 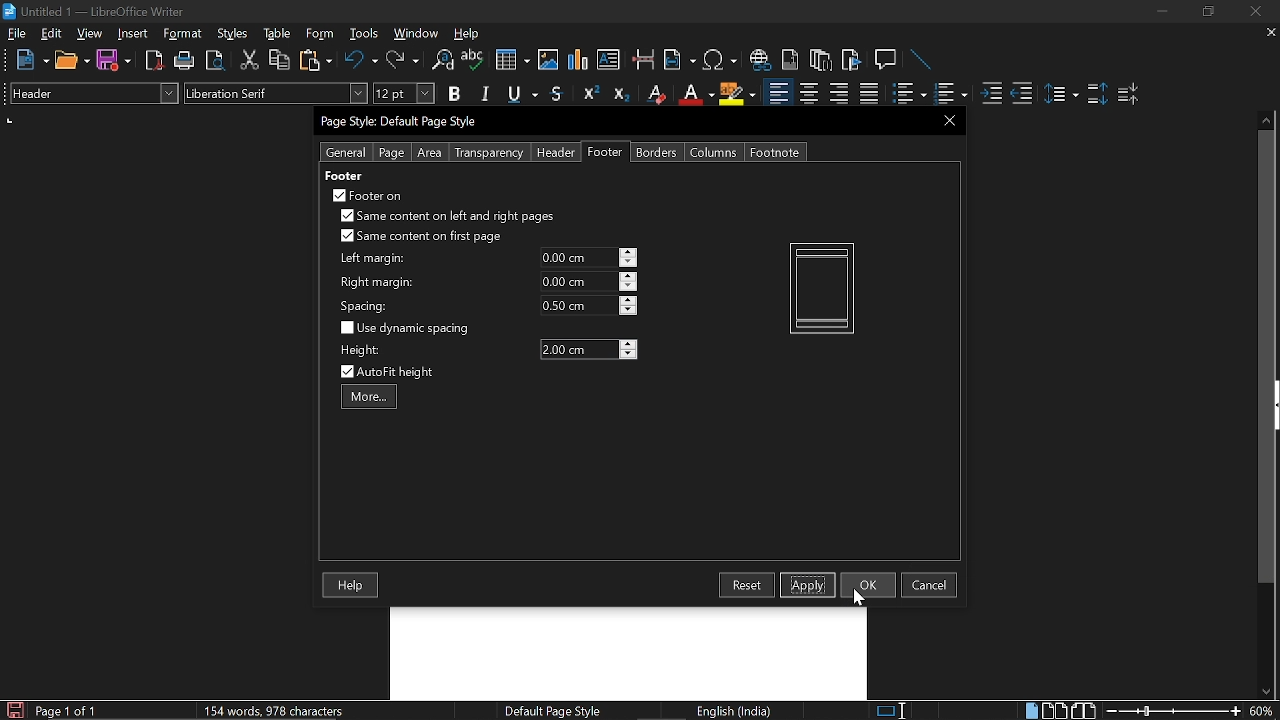 What do you see at coordinates (868, 584) in the screenshot?
I see `Ok` at bounding box center [868, 584].